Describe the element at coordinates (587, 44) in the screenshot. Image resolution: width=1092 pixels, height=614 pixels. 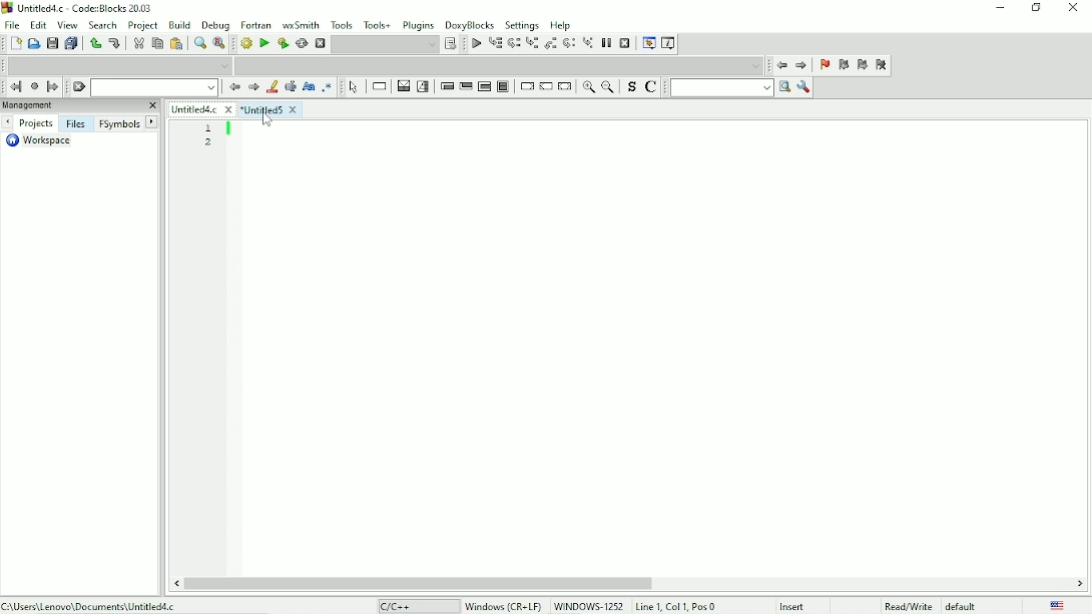
I see `Step into instruction` at that location.